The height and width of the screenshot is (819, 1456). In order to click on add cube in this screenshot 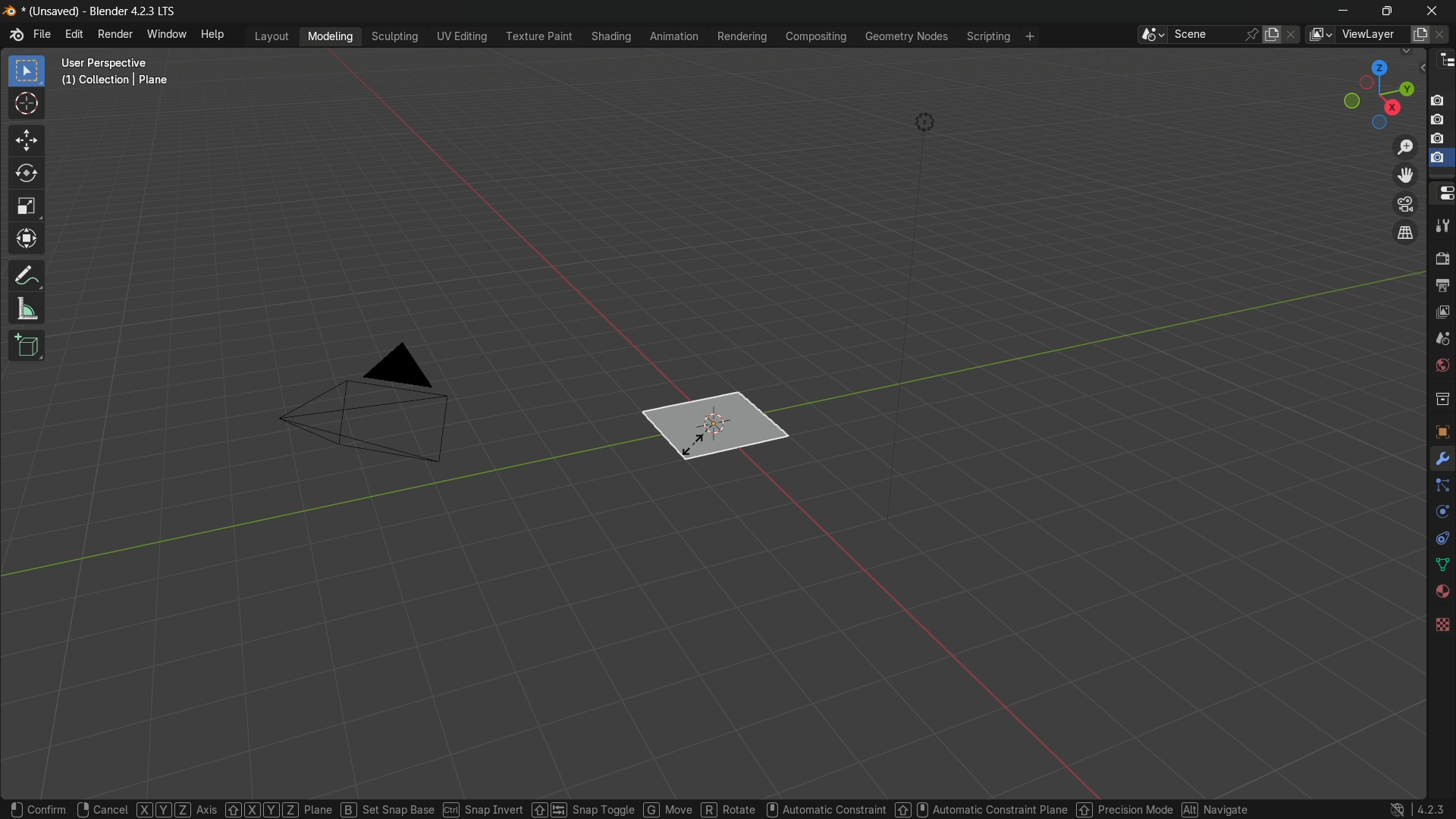, I will do `click(28, 348)`.